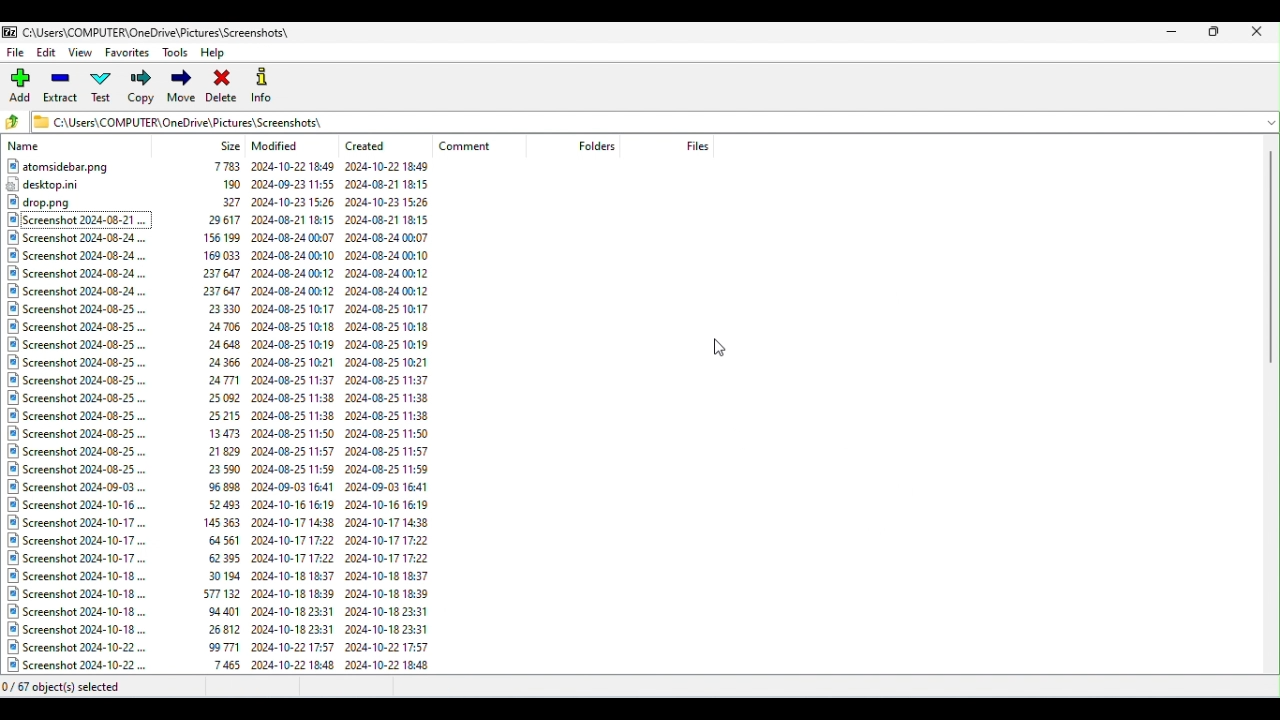  I want to click on Maximize, so click(1214, 31).